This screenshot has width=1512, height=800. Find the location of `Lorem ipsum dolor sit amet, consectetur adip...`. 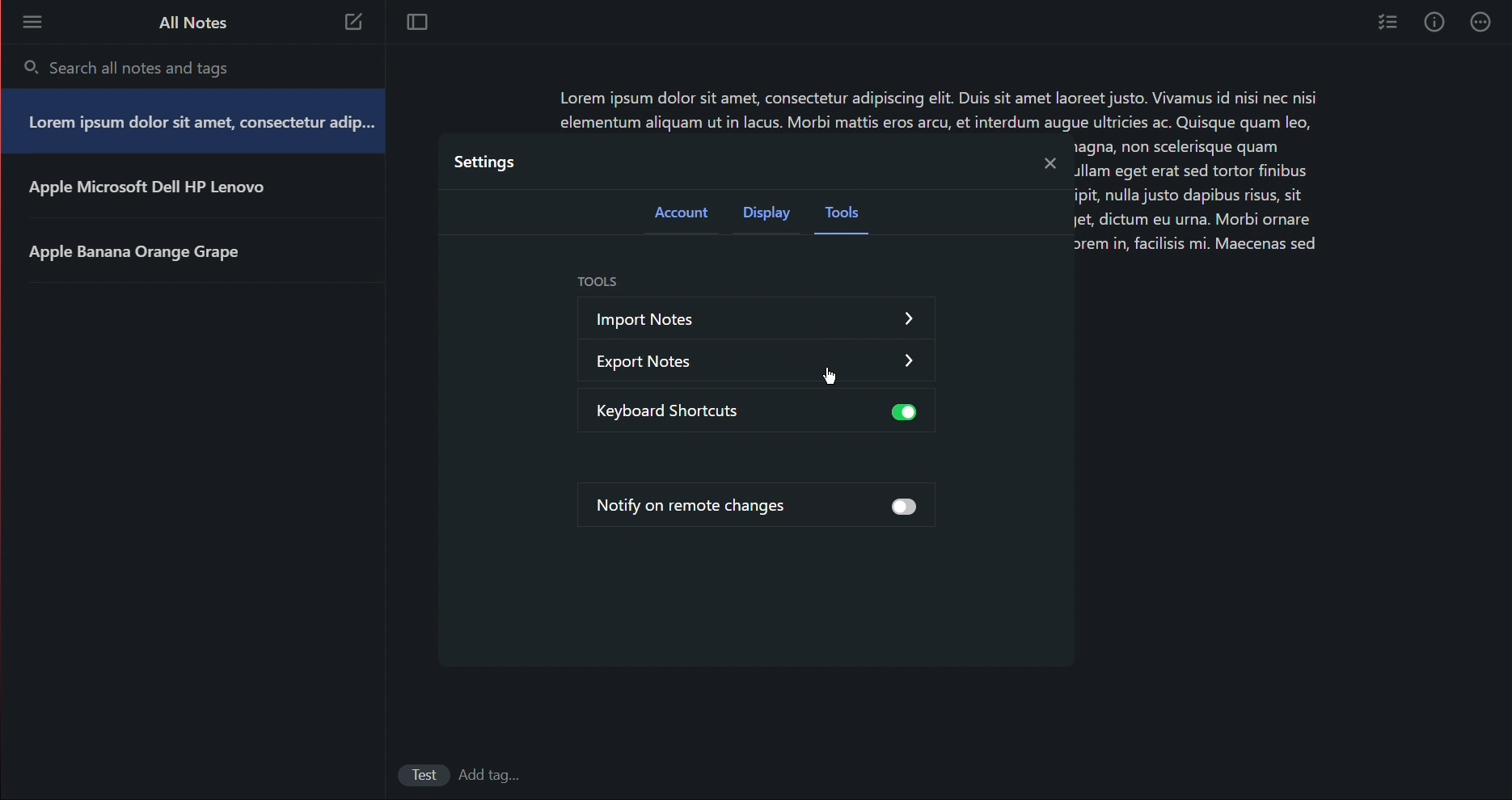

Lorem ipsum dolor sit amet, consectetur adip... is located at coordinates (197, 125).